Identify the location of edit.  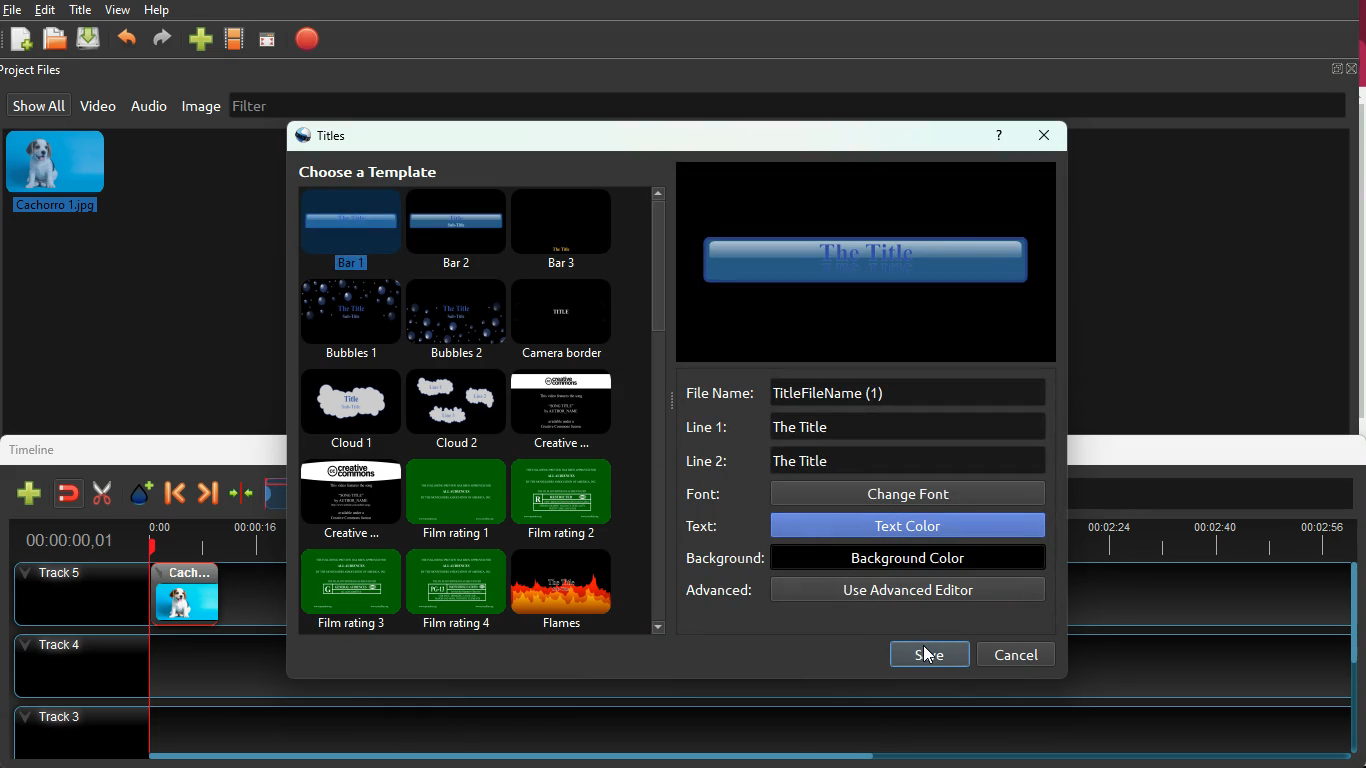
(49, 10).